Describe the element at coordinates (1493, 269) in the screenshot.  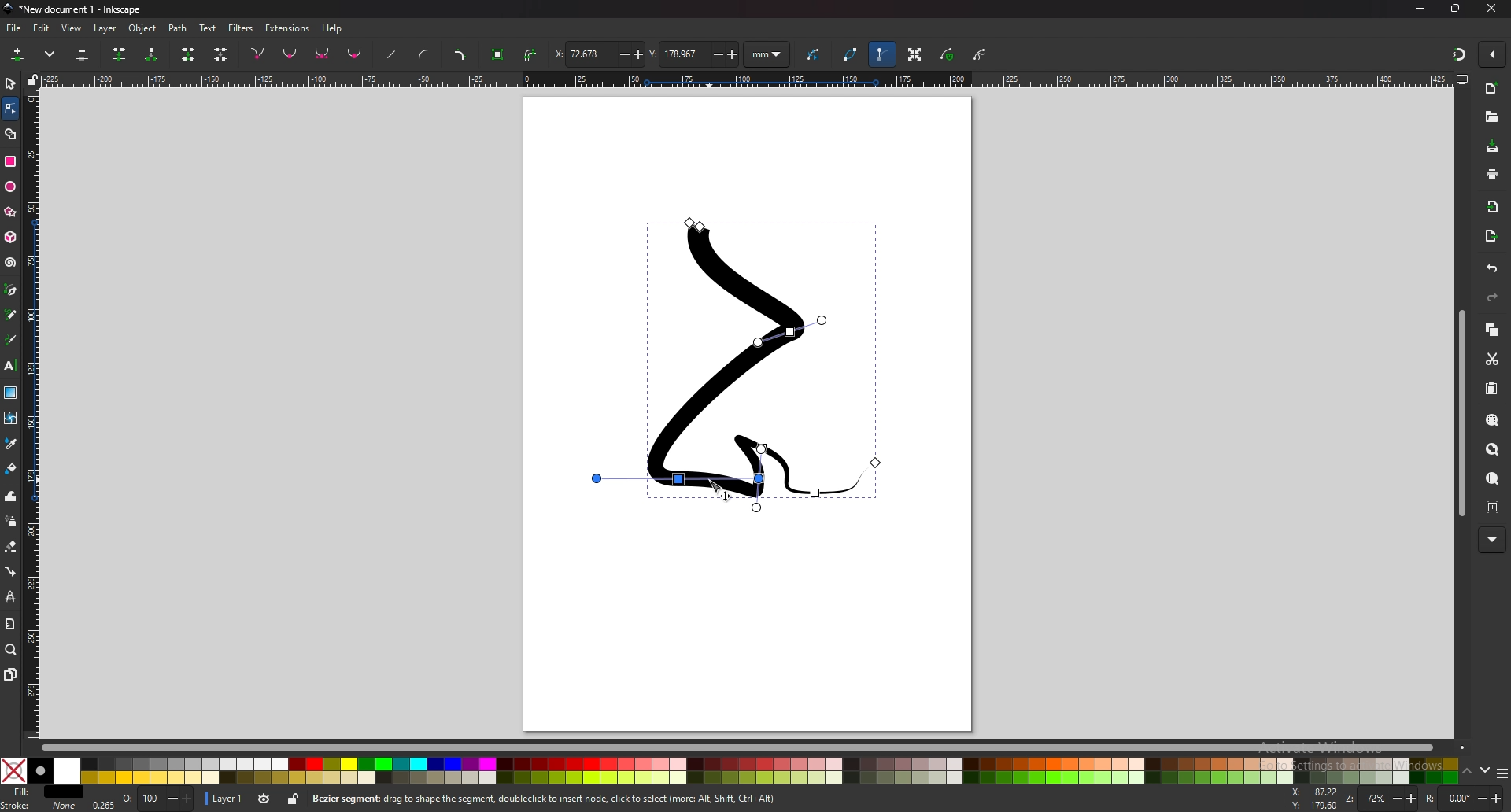
I see `undo` at that location.